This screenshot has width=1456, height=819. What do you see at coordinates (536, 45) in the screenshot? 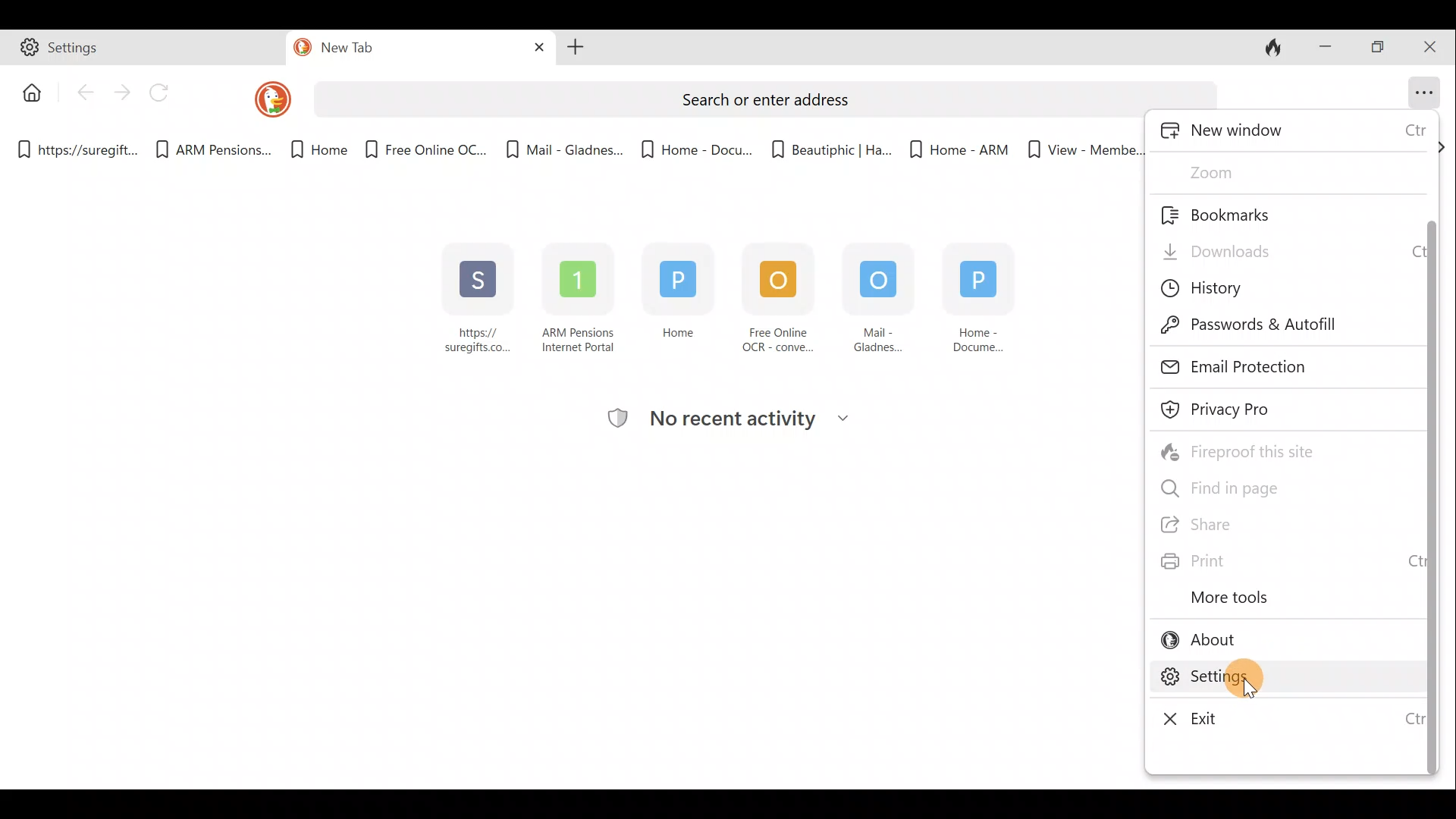
I see `Close tab` at bounding box center [536, 45].